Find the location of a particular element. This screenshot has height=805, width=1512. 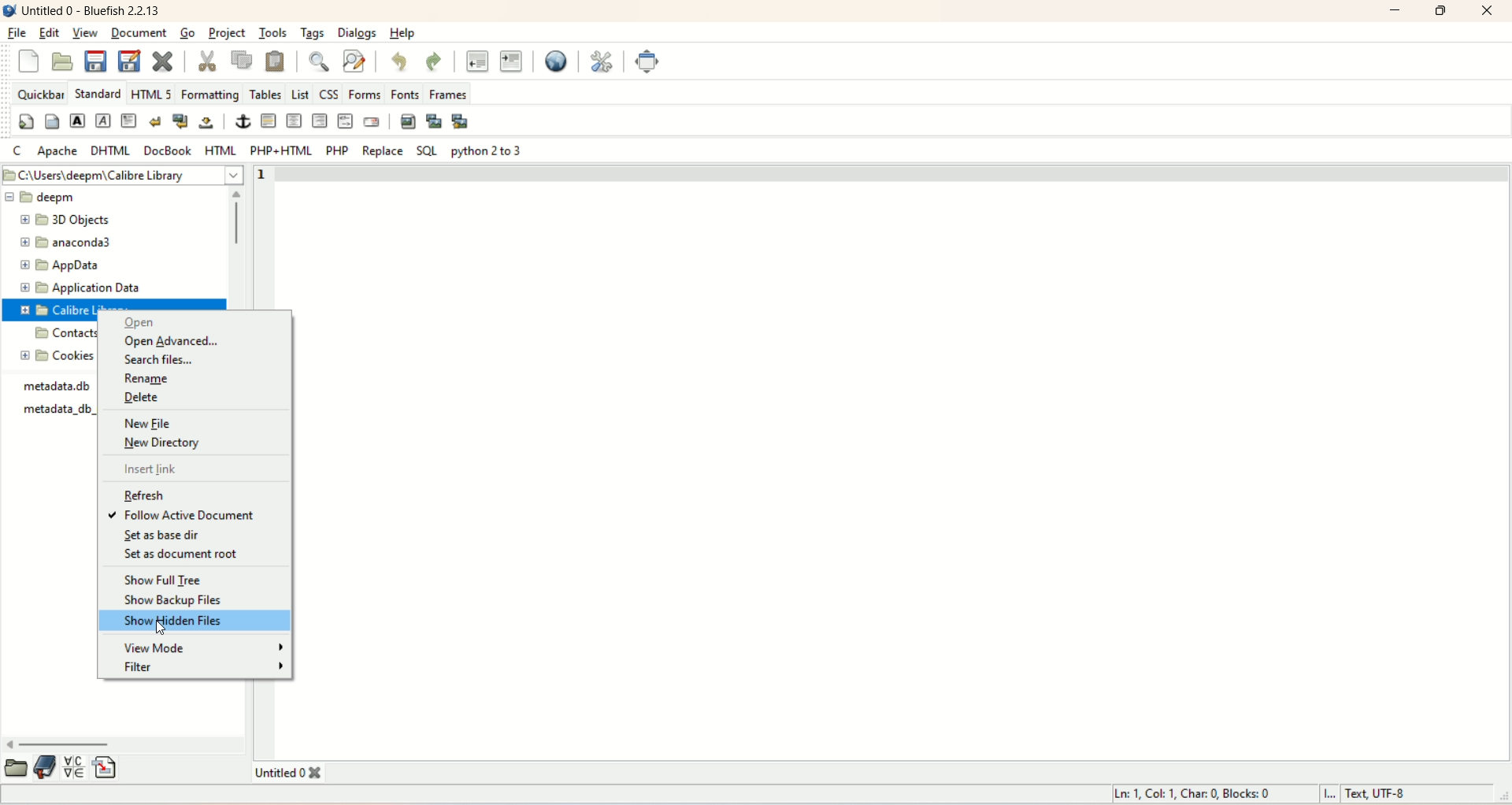

CSS is located at coordinates (328, 95).